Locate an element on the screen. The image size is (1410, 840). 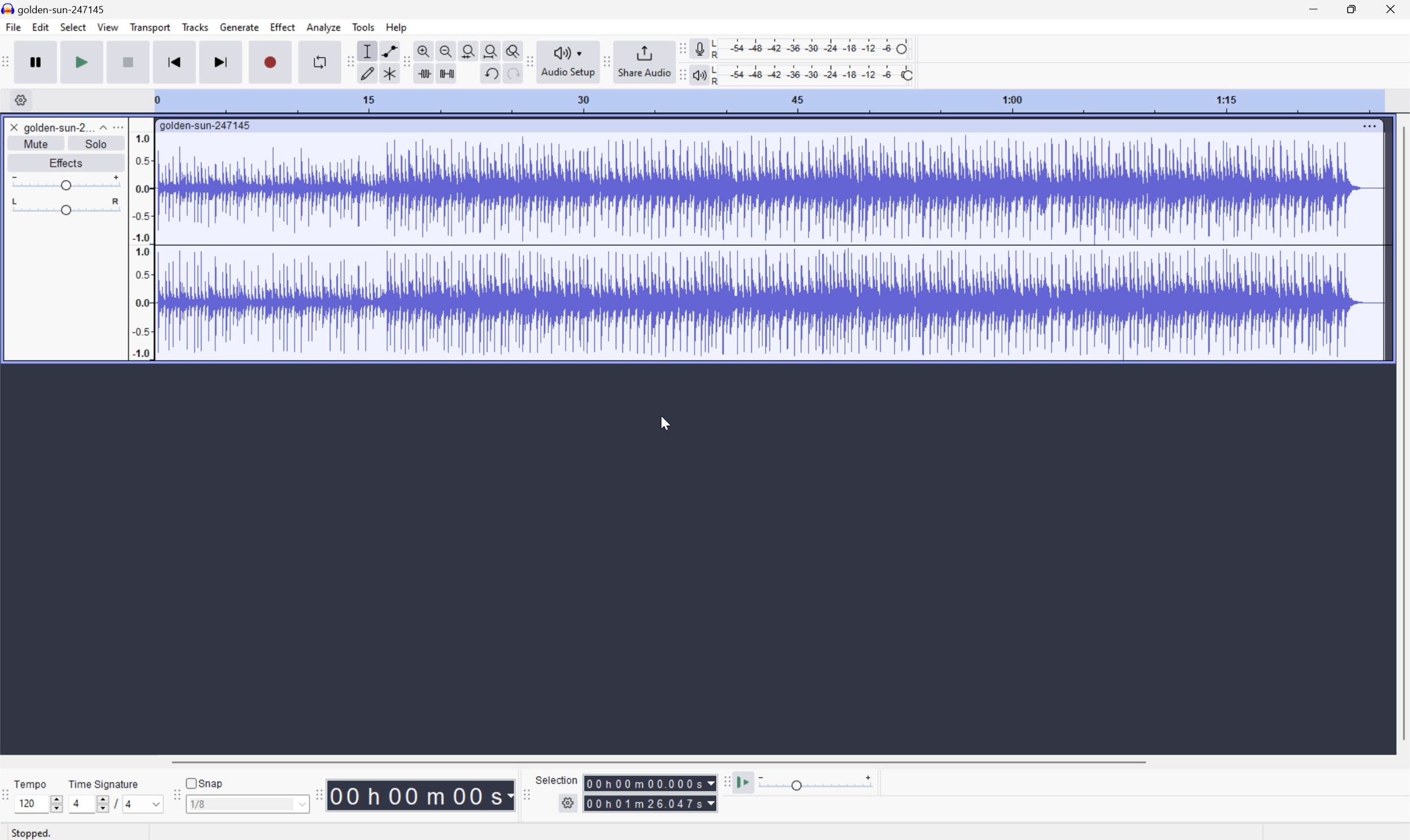
Play is located at coordinates (83, 61).